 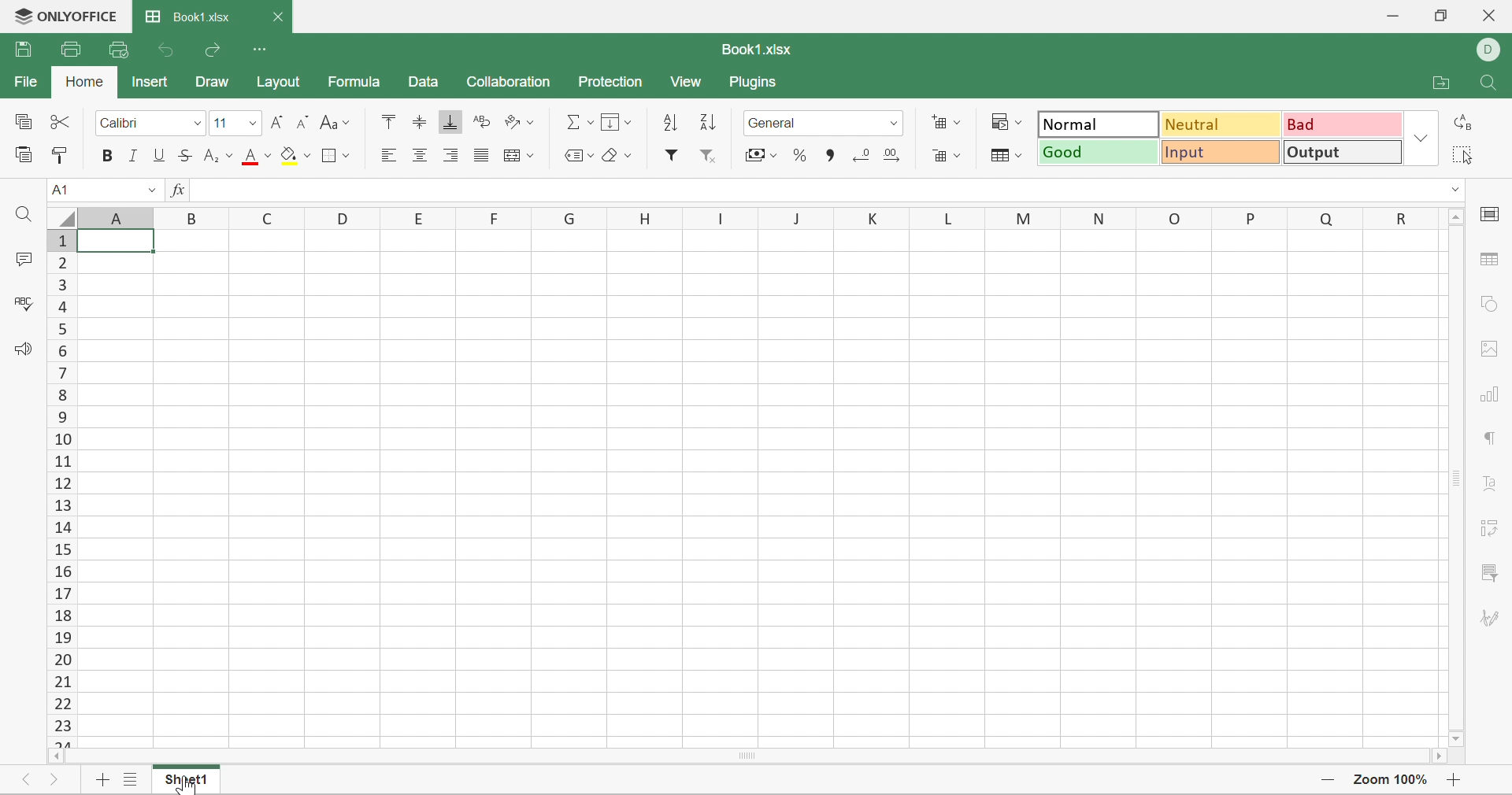 What do you see at coordinates (949, 157) in the screenshot?
I see `Delete cell` at bounding box center [949, 157].